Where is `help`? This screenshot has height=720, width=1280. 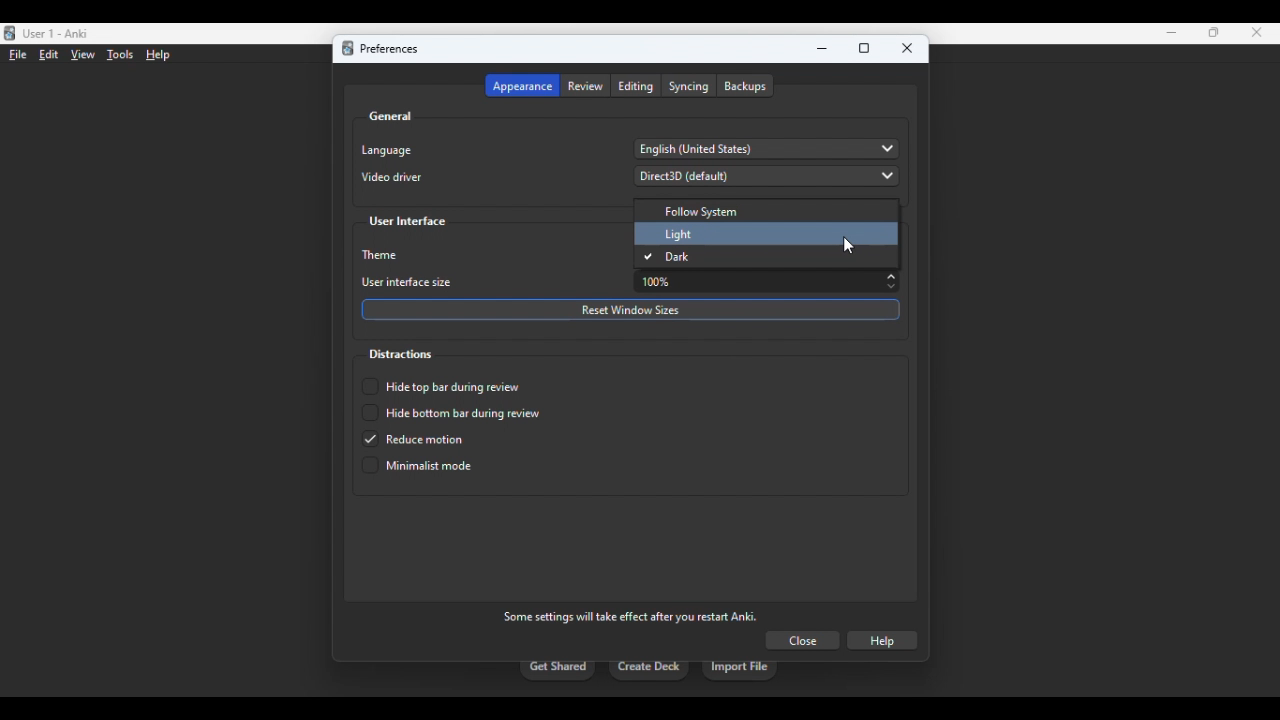 help is located at coordinates (882, 641).